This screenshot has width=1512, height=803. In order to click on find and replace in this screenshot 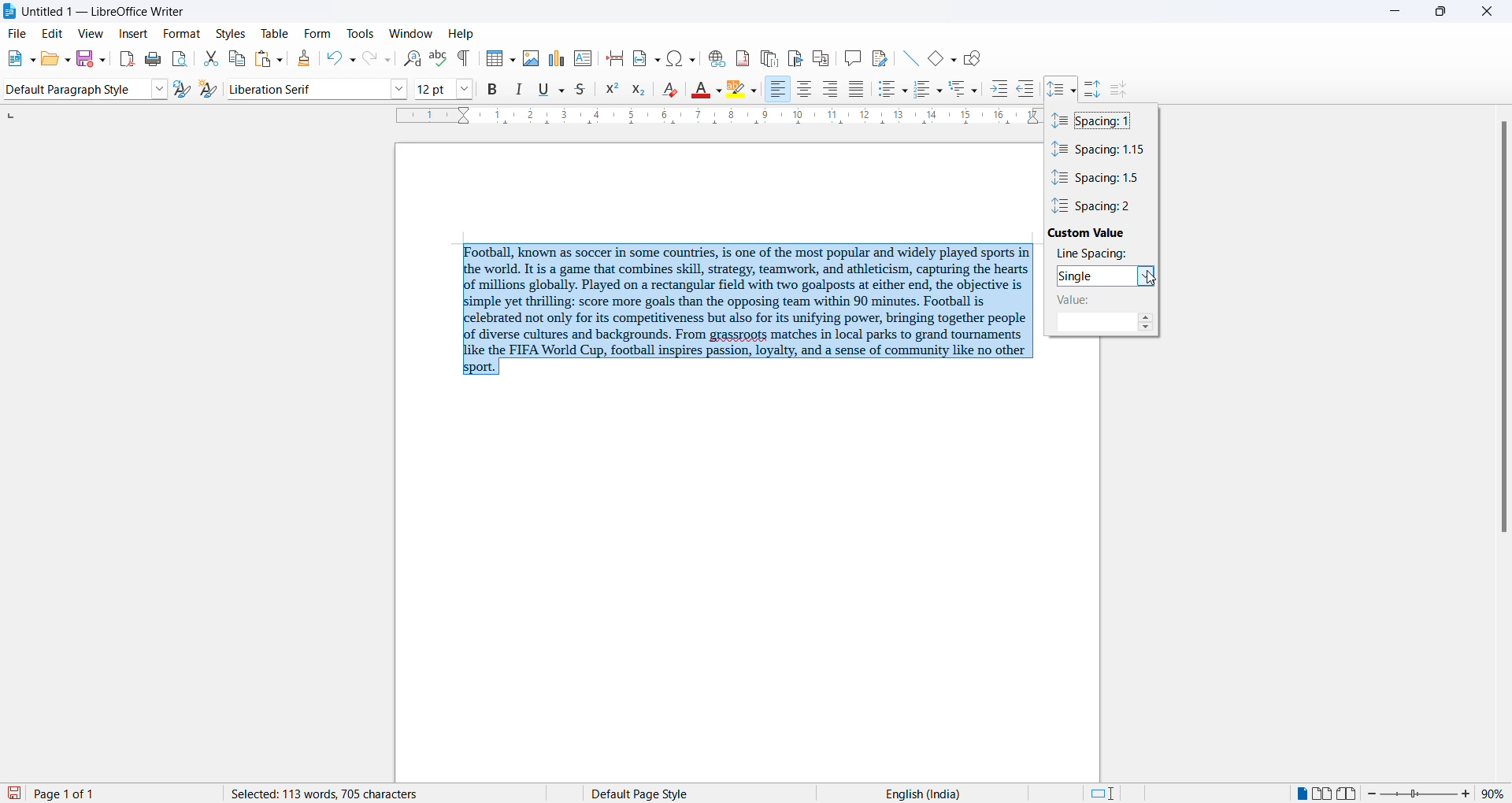, I will do `click(413, 58)`.